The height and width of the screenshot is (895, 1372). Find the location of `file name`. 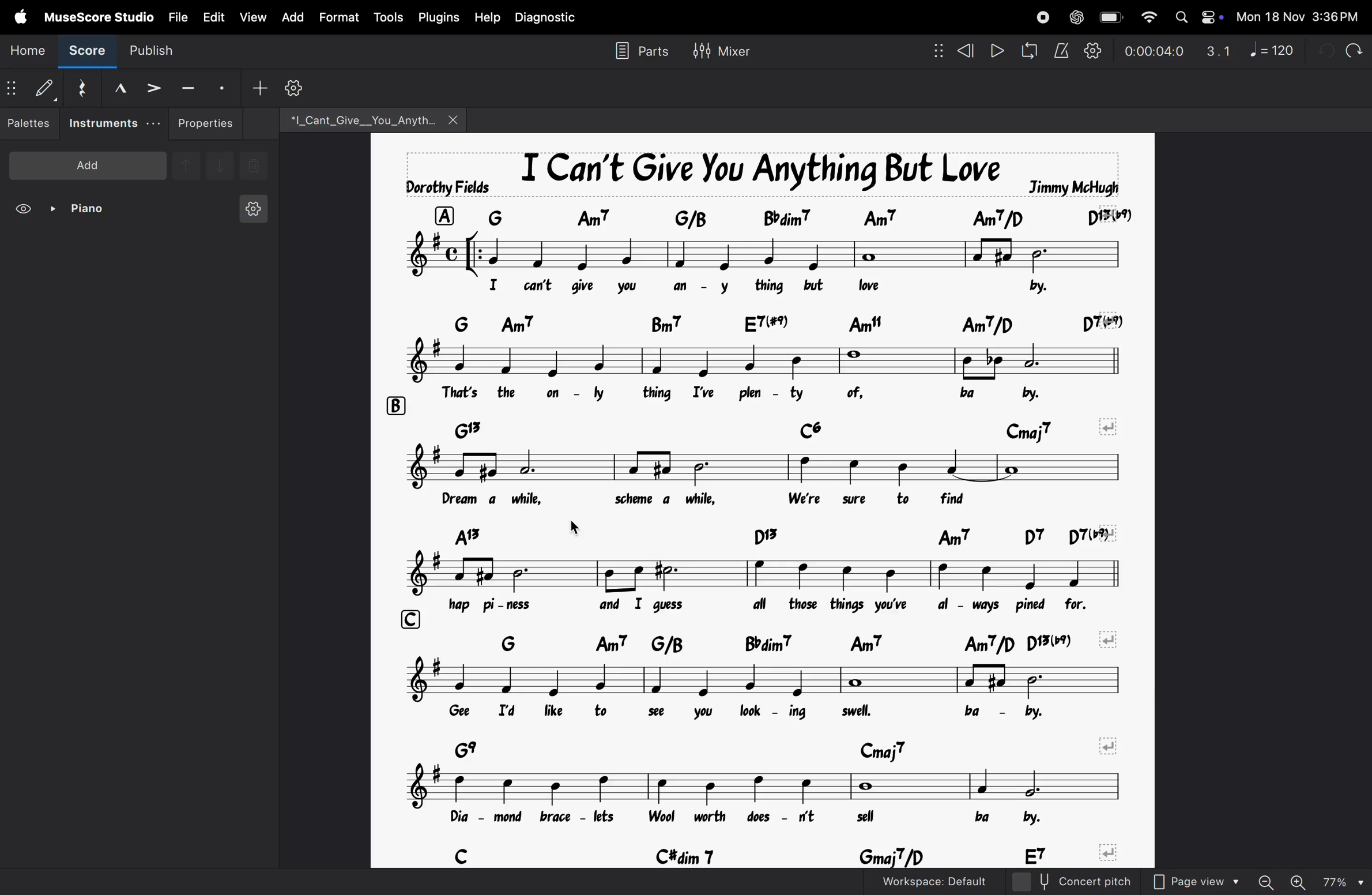

file name is located at coordinates (367, 118).